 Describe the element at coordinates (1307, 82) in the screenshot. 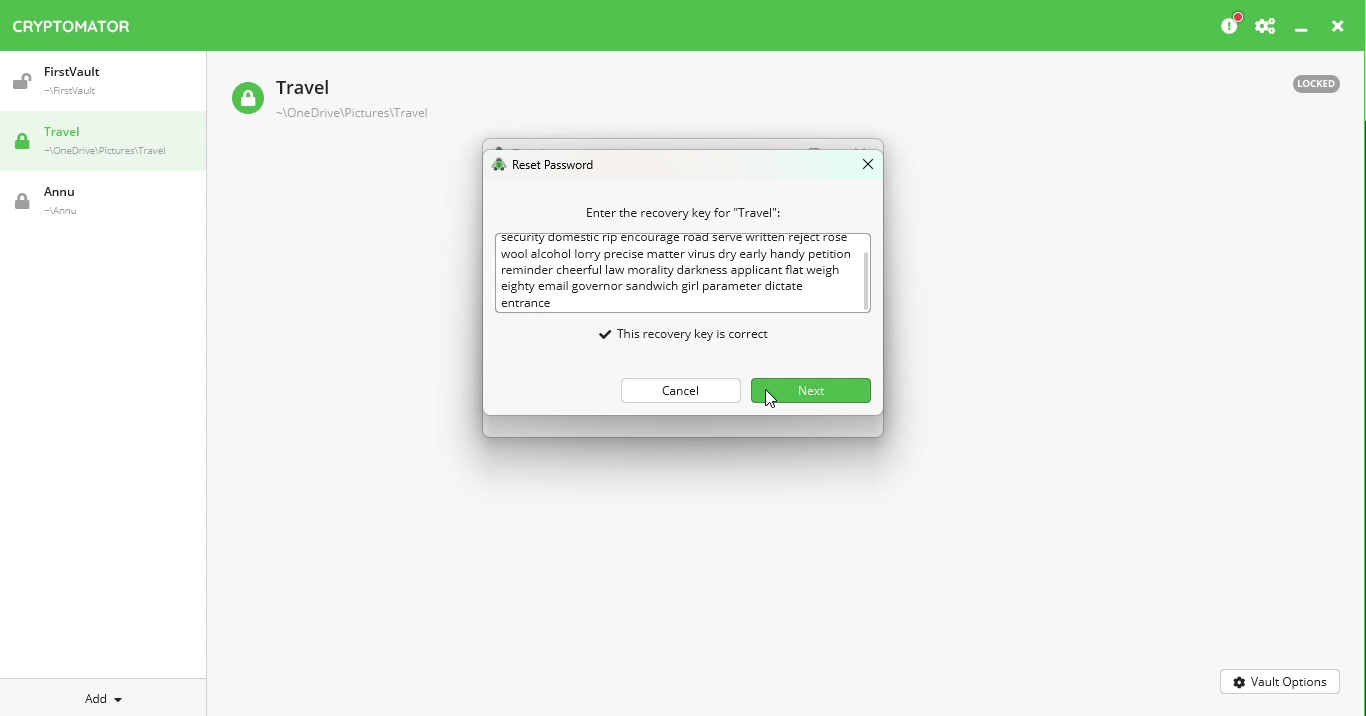

I see `Locked` at that location.